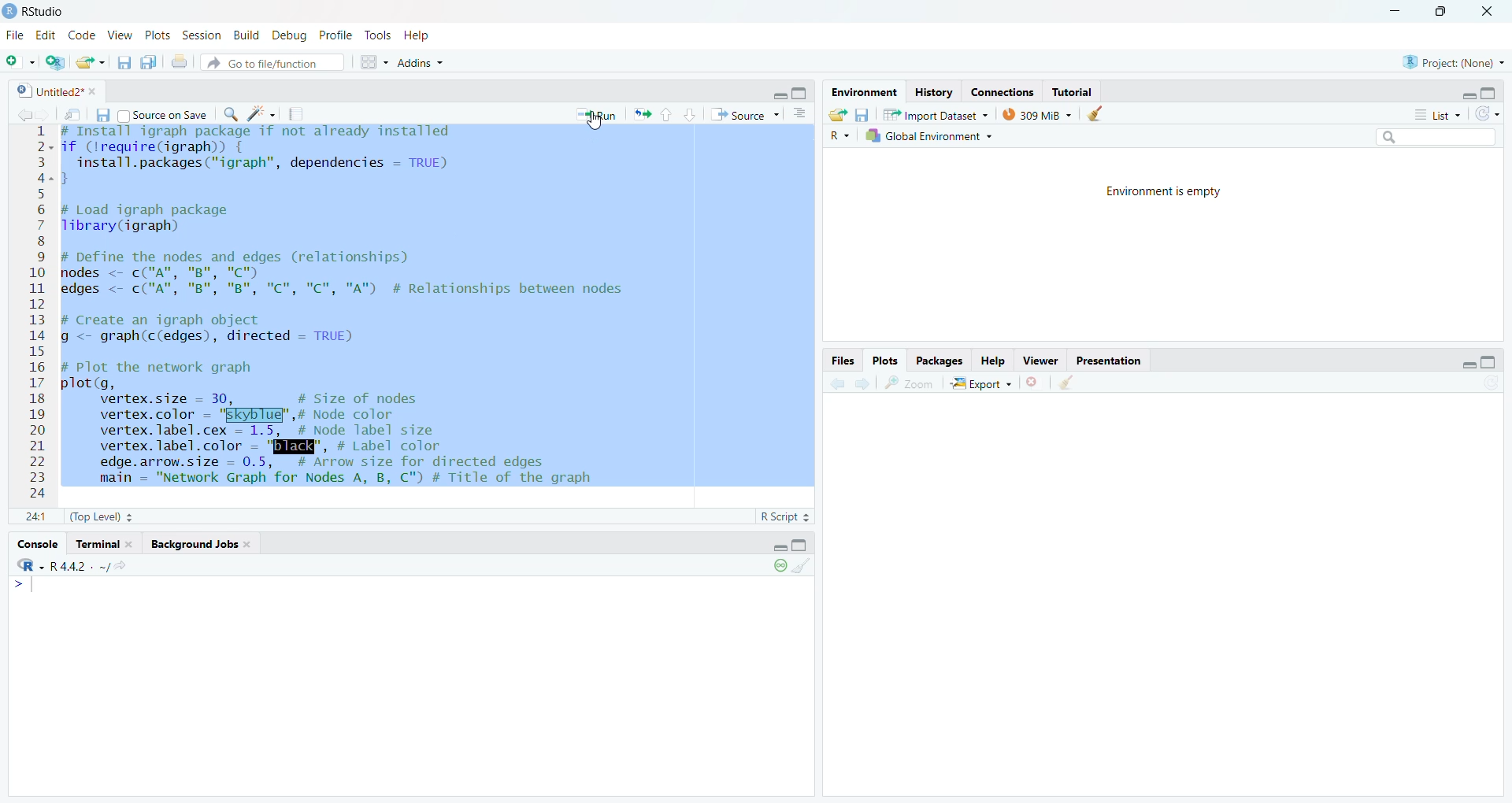 This screenshot has width=1512, height=803. What do you see at coordinates (1440, 135) in the screenshot?
I see `search` at bounding box center [1440, 135].